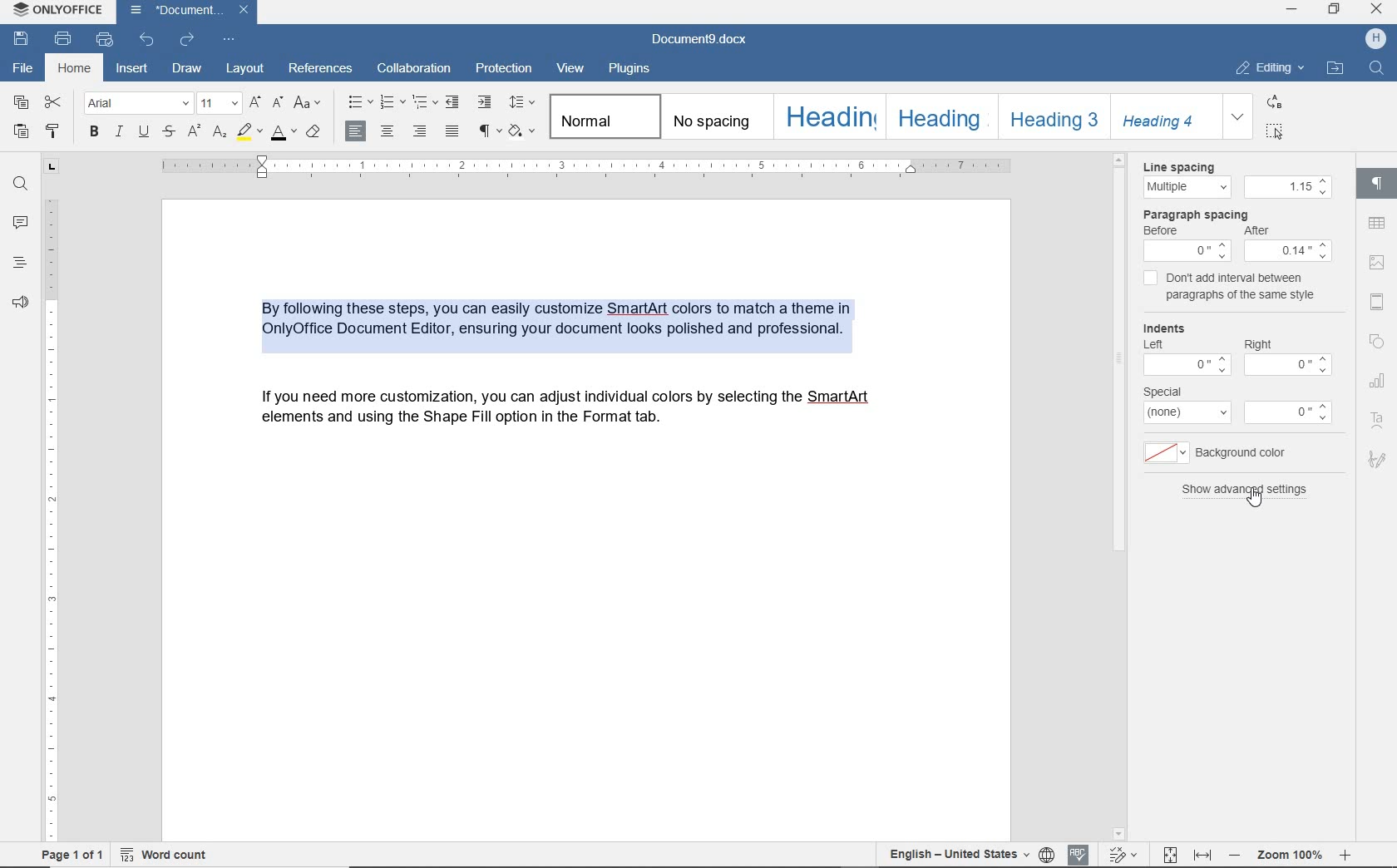 Image resolution: width=1397 pixels, height=868 pixels. Describe the element at coordinates (1335, 69) in the screenshot. I see `open file location` at that location.